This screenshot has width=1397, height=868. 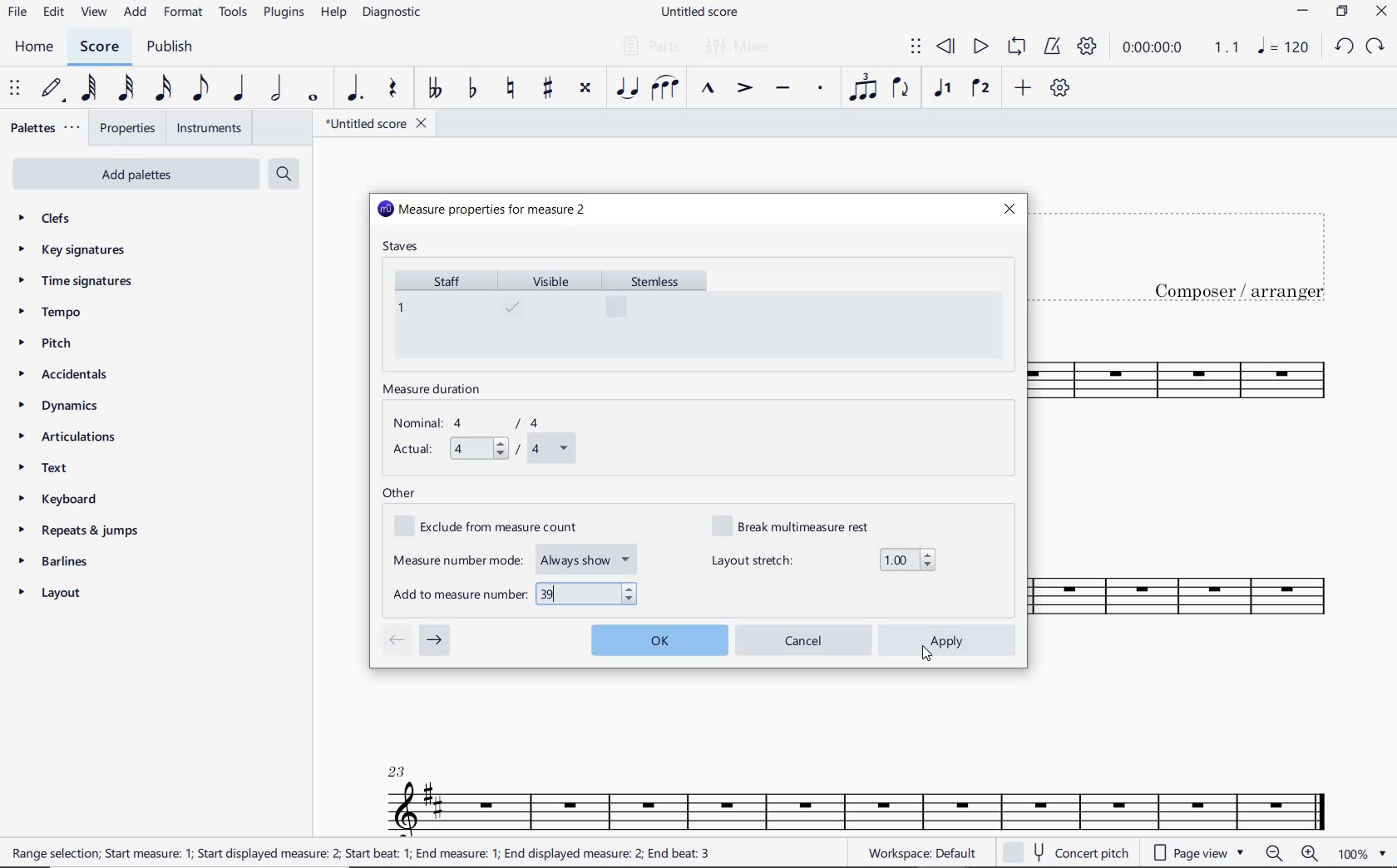 I want to click on FILE, so click(x=17, y=13).